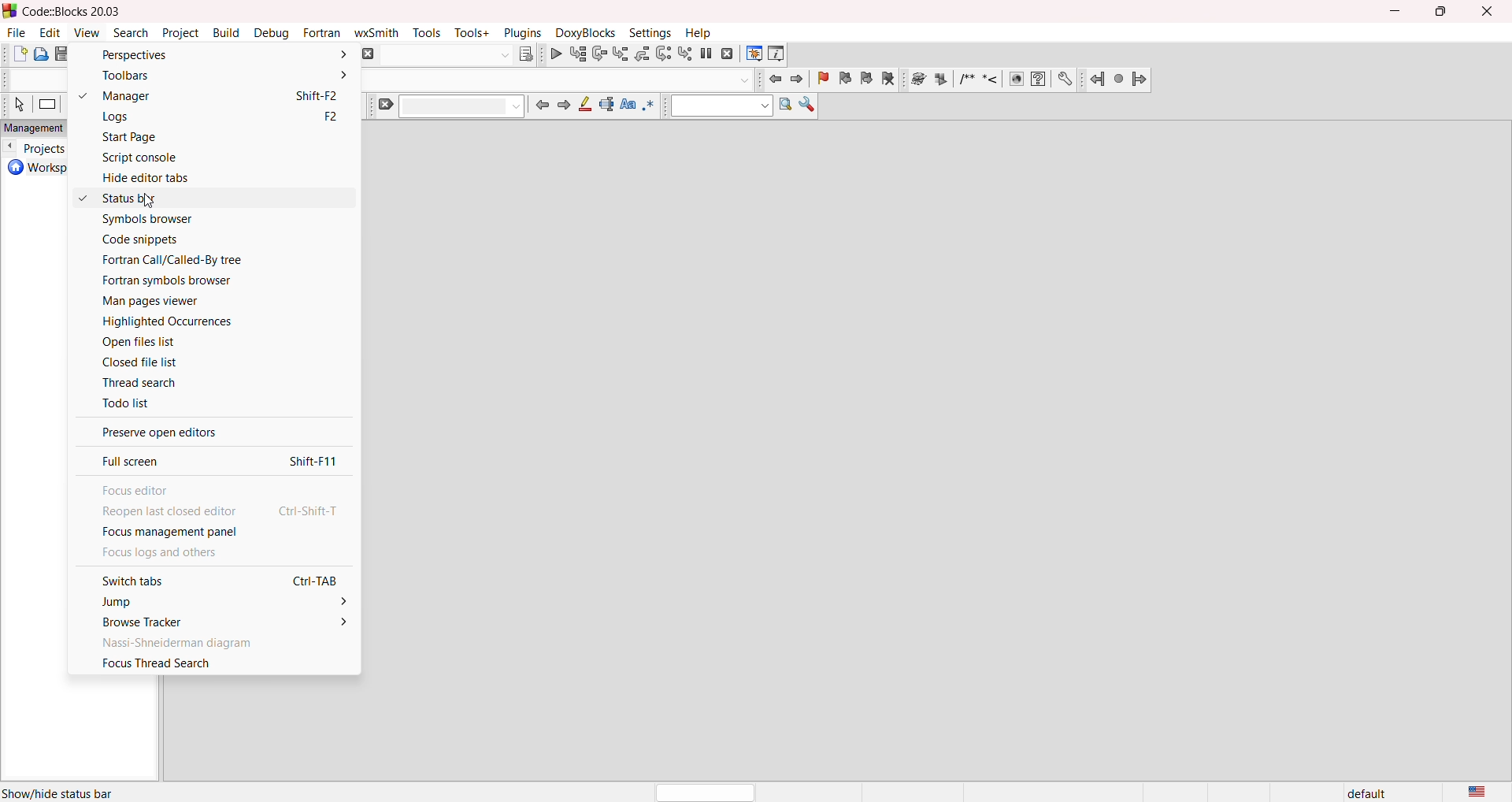  What do you see at coordinates (206, 281) in the screenshot?
I see `fortran symbols browser` at bounding box center [206, 281].